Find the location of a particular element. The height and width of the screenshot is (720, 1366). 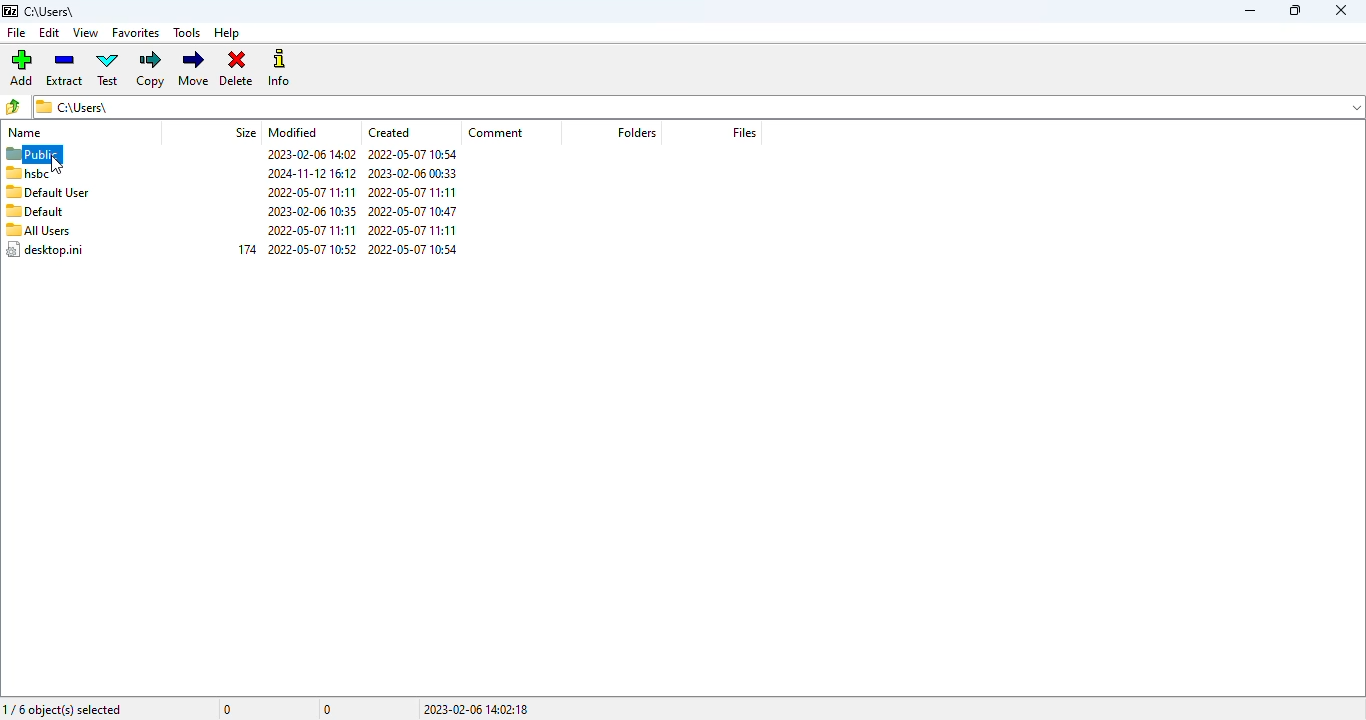

folders is located at coordinates (637, 132).